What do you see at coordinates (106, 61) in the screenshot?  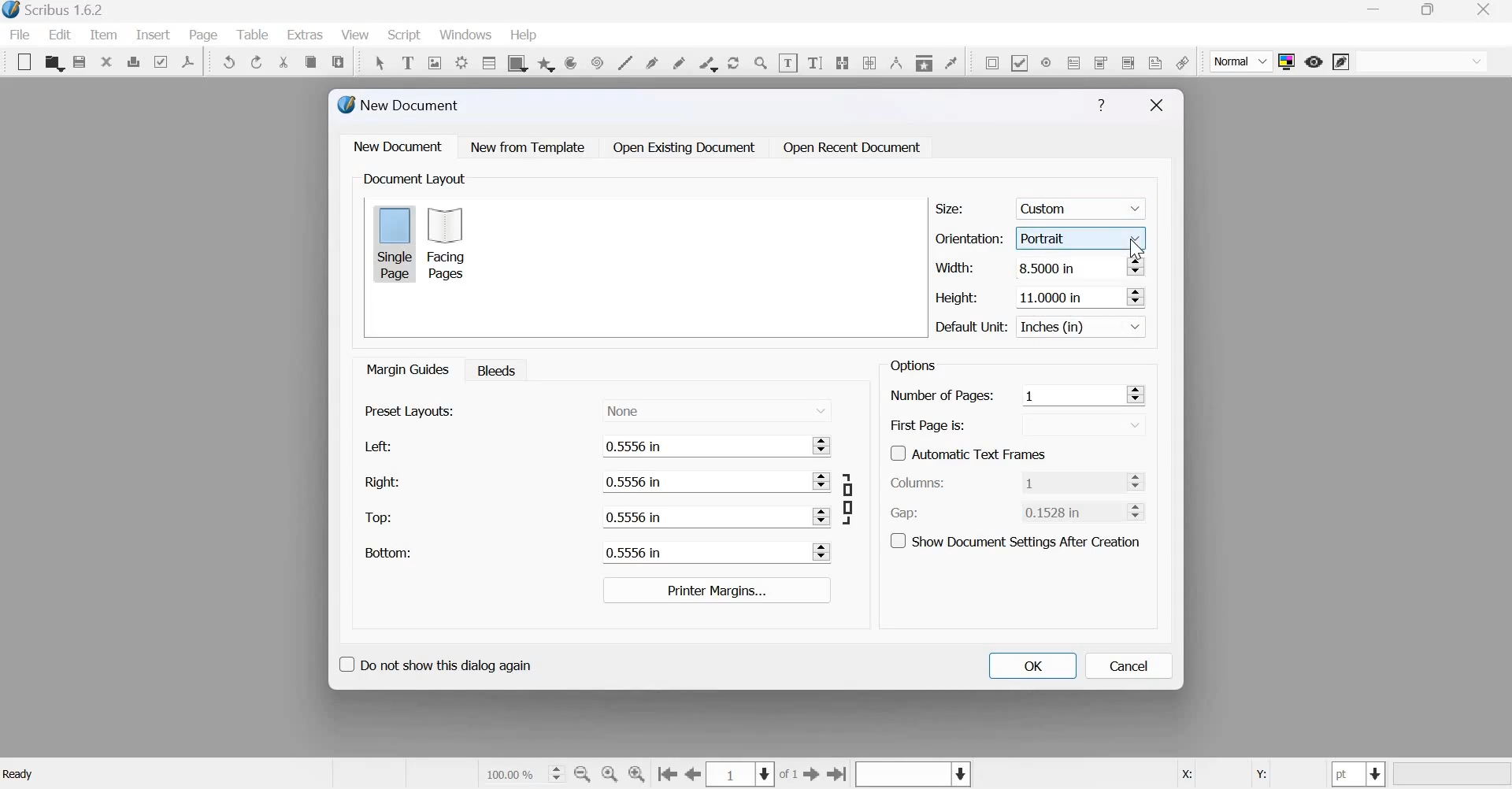 I see `close` at bounding box center [106, 61].